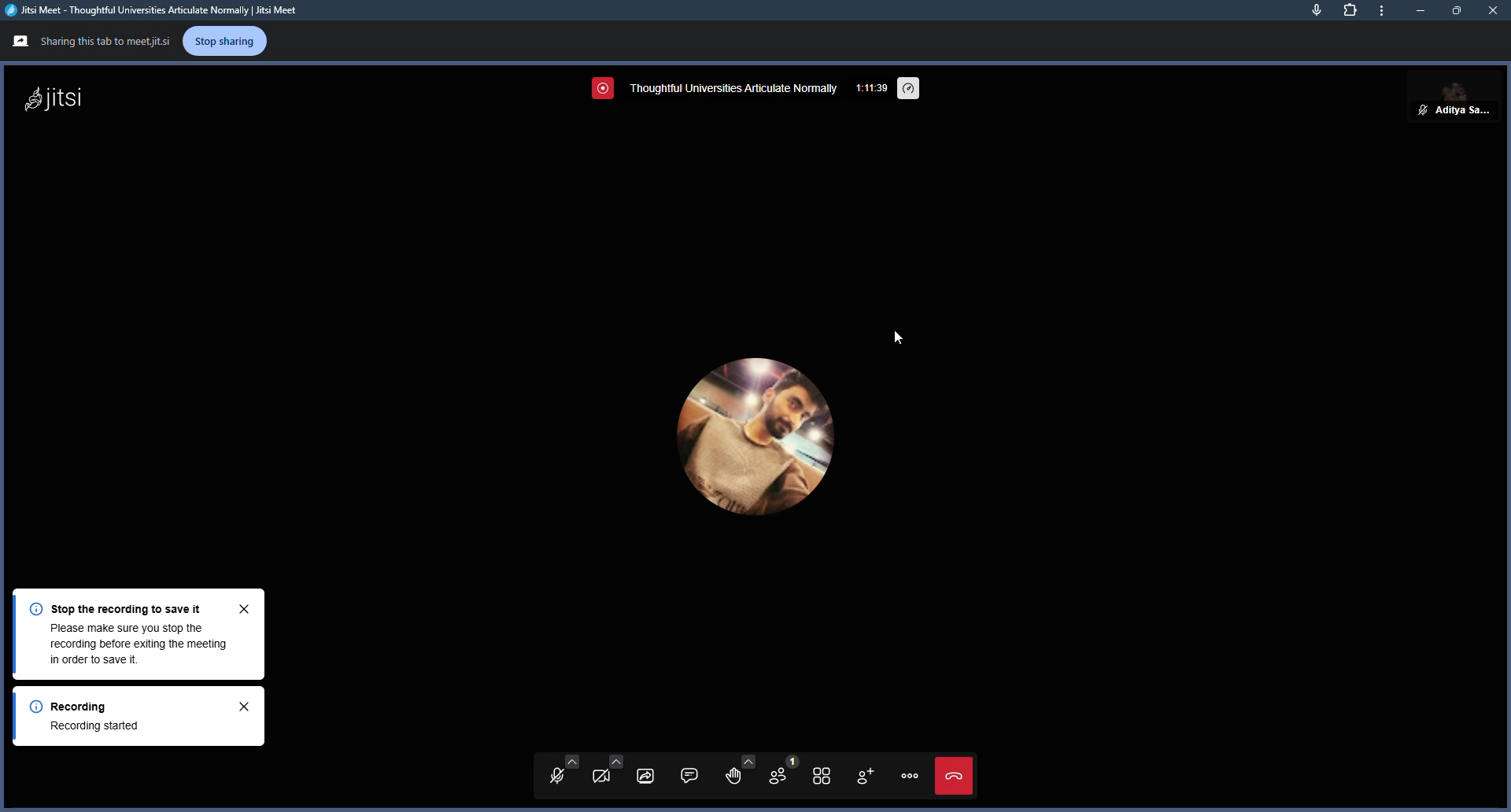 The image size is (1511, 812). What do you see at coordinates (230, 41) in the screenshot?
I see `stop sharing` at bounding box center [230, 41].